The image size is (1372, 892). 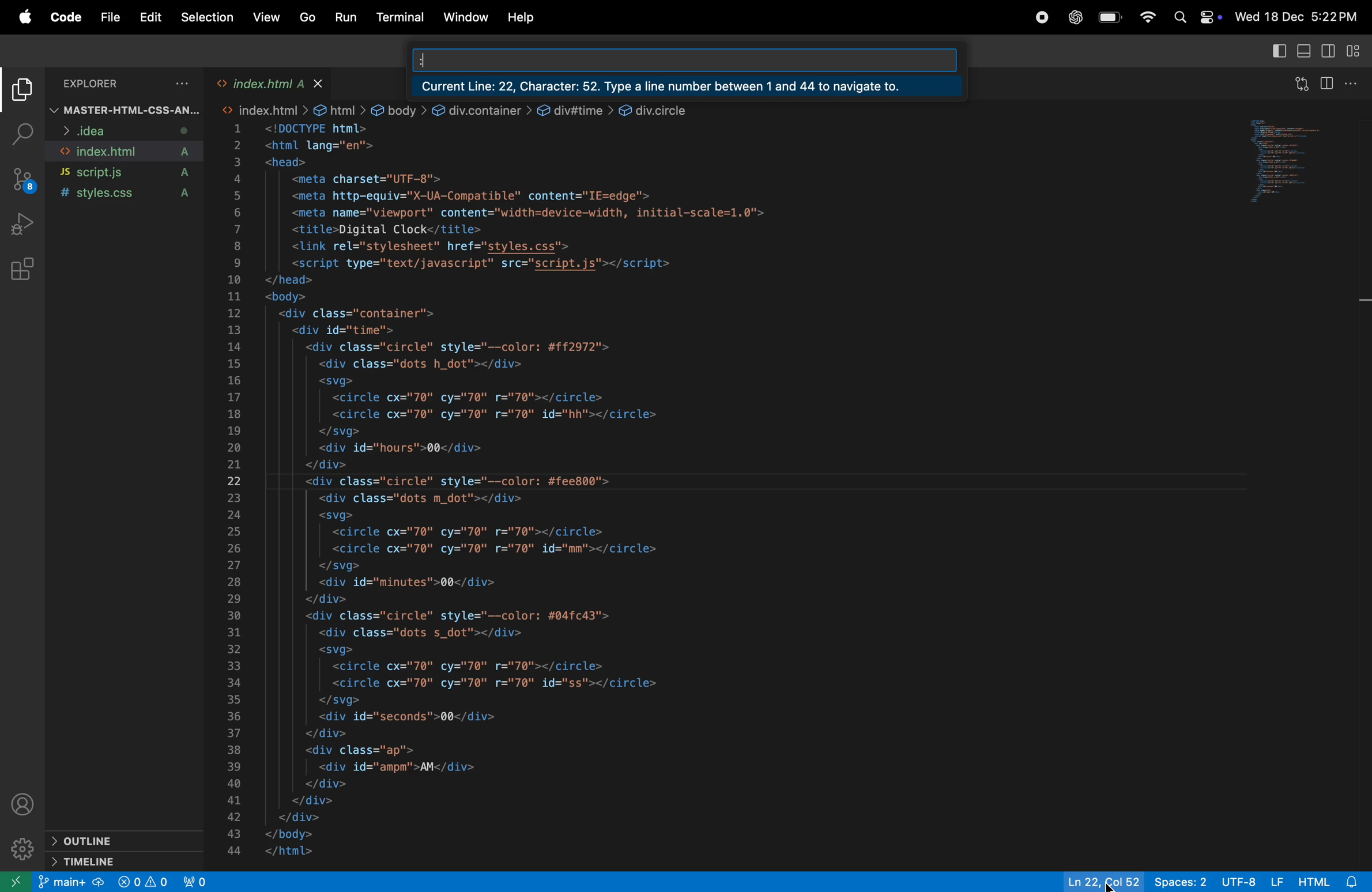 I want to click on line number, so click(x=232, y=489).